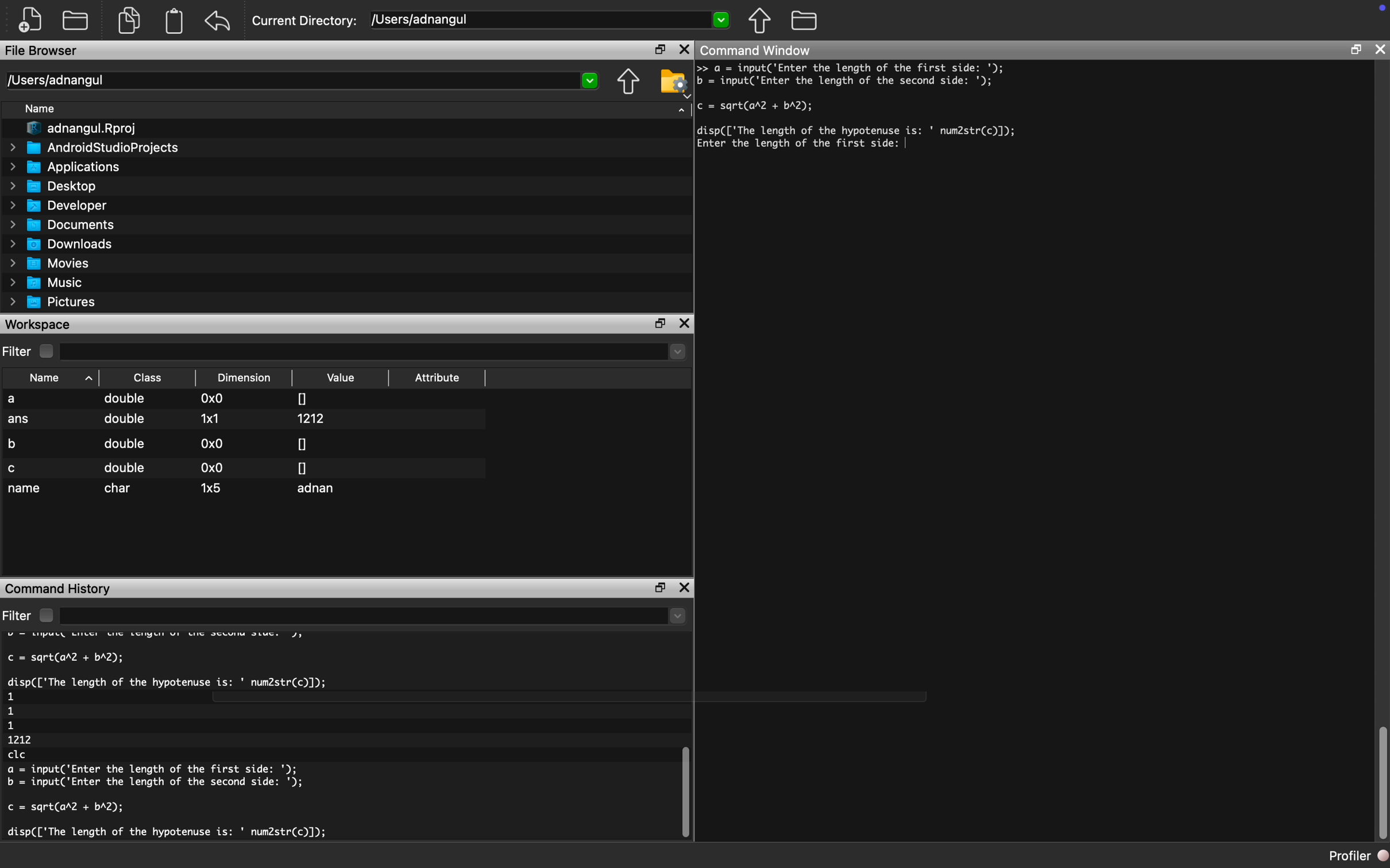  What do you see at coordinates (628, 83) in the screenshot?
I see `move up` at bounding box center [628, 83].